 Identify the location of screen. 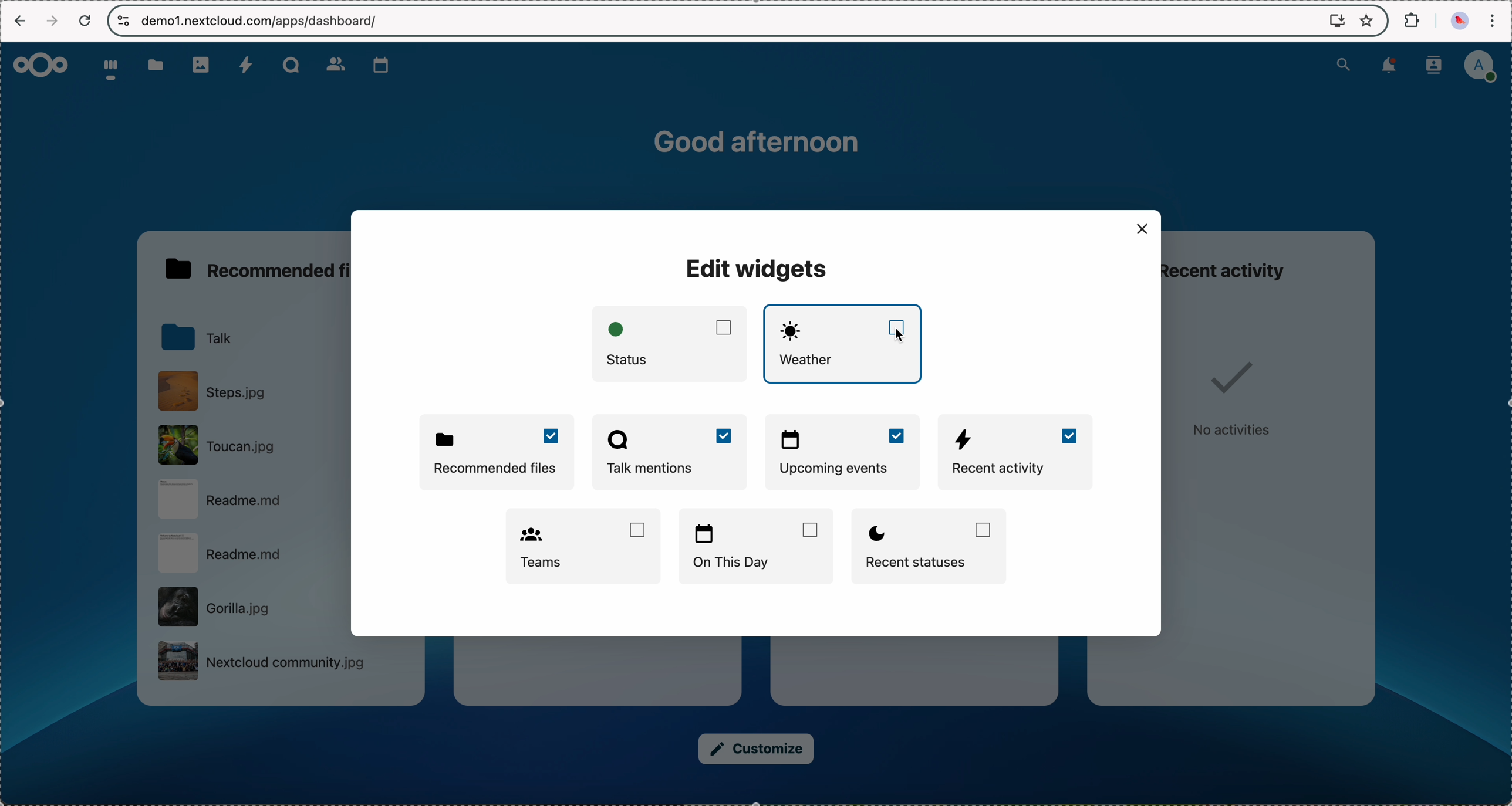
(1337, 21).